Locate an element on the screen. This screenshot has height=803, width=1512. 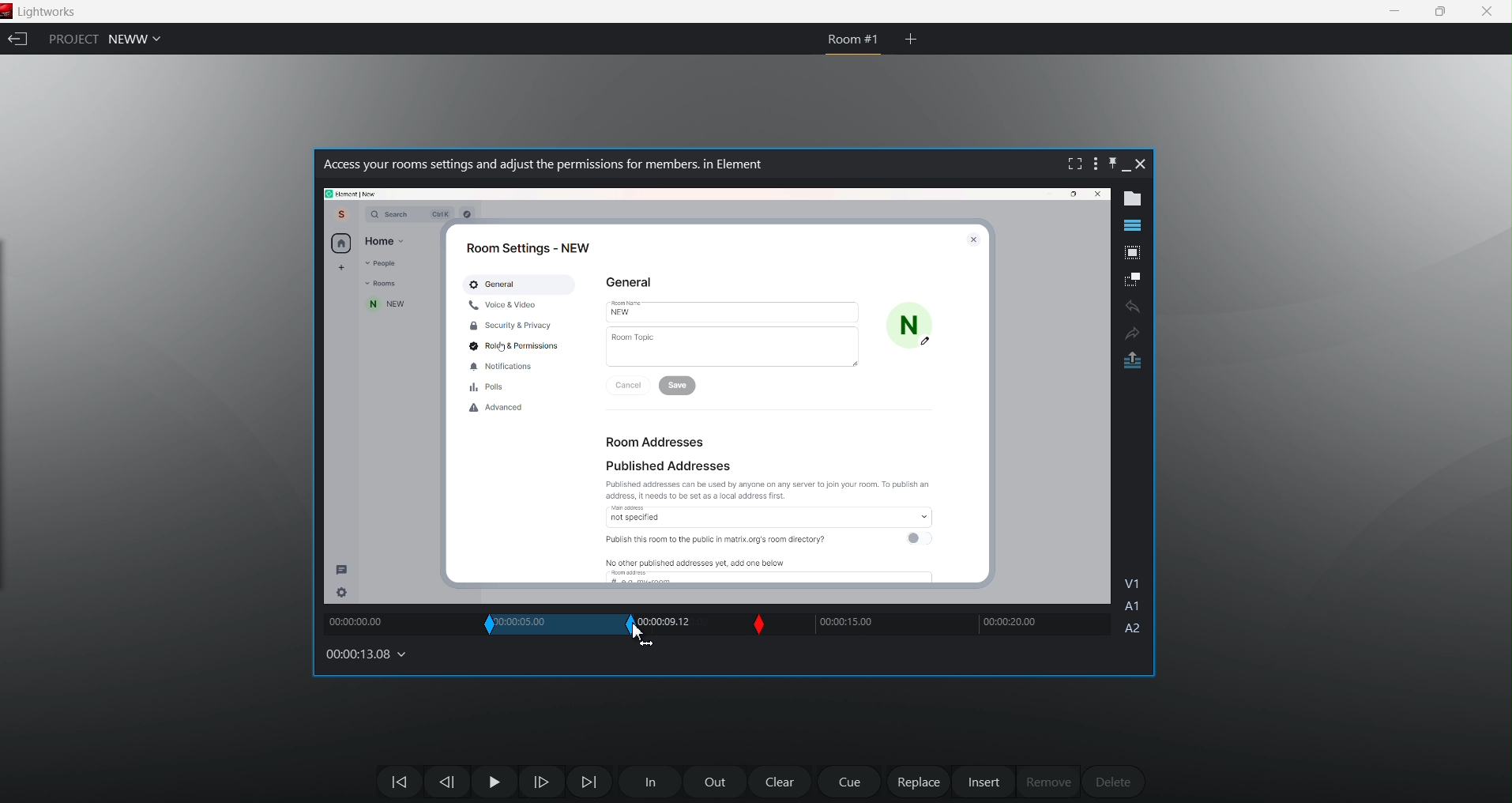
A1 is located at coordinates (1131, 607).